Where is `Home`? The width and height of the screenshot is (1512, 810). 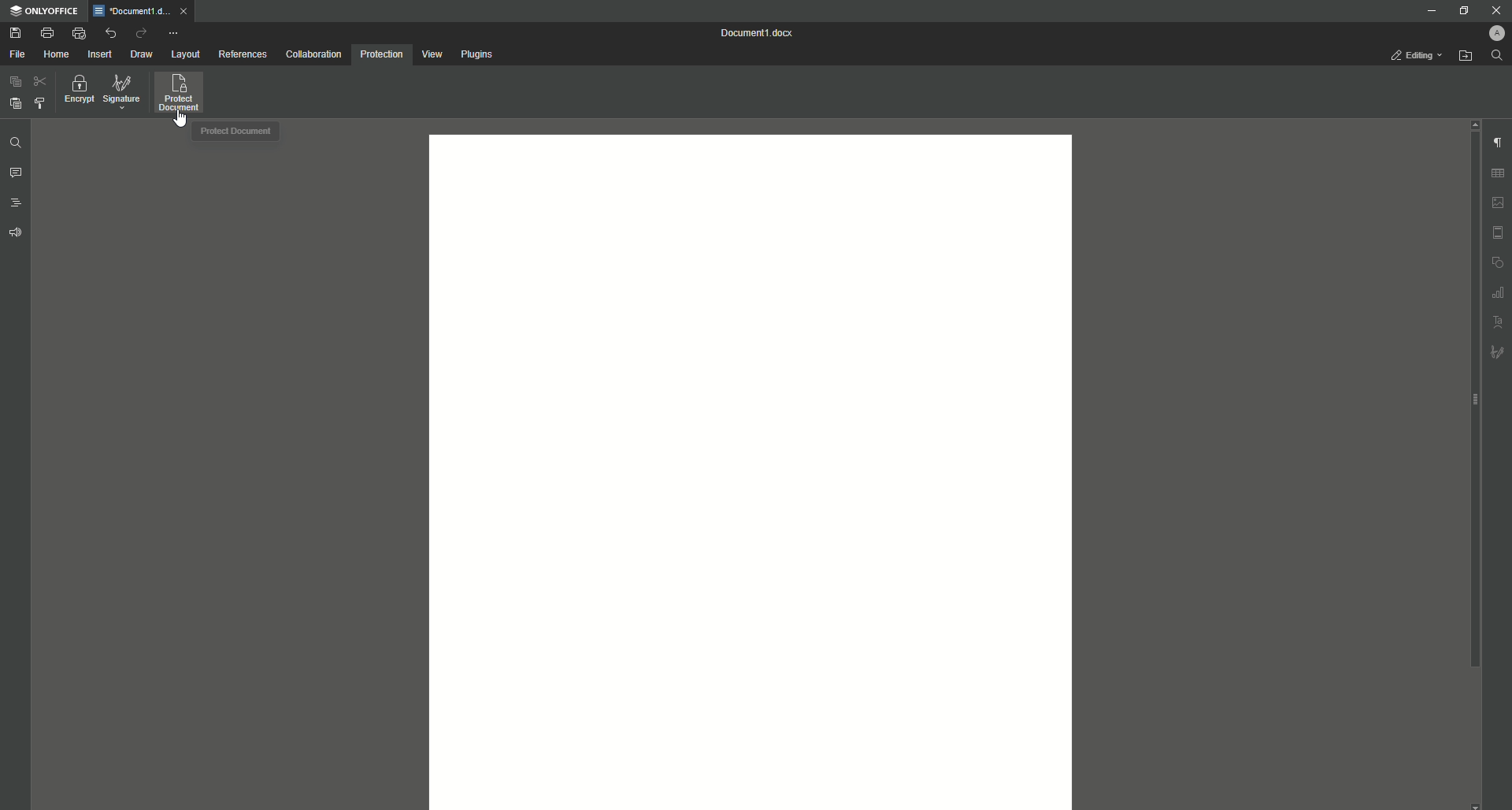
Home is located at coordinates (56, 55).